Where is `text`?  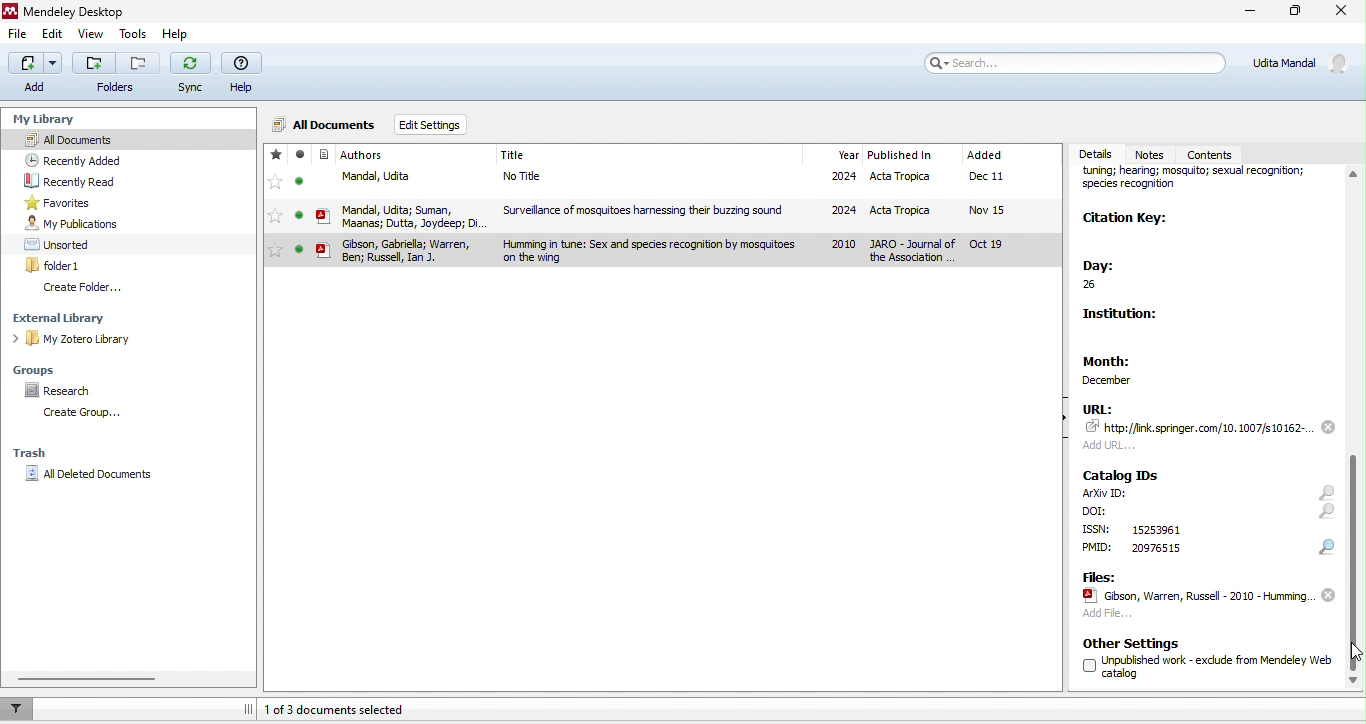
text is located at coordinates (1098, 548).